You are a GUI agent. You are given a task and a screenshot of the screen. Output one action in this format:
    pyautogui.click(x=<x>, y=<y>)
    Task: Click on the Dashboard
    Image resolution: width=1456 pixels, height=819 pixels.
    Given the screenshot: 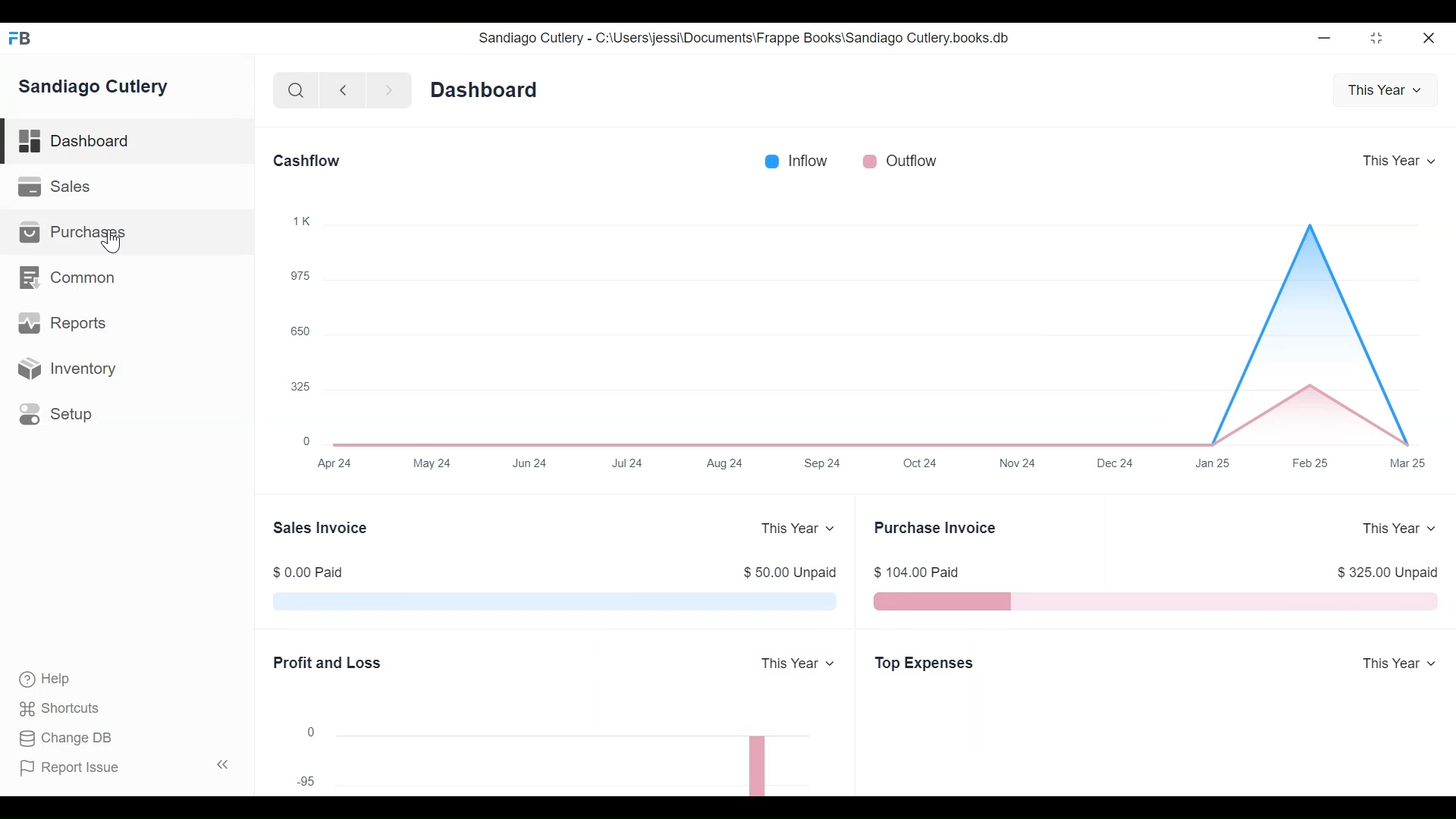 What is the action you would take?
    pyautogui.click(x=495, y=92)
    